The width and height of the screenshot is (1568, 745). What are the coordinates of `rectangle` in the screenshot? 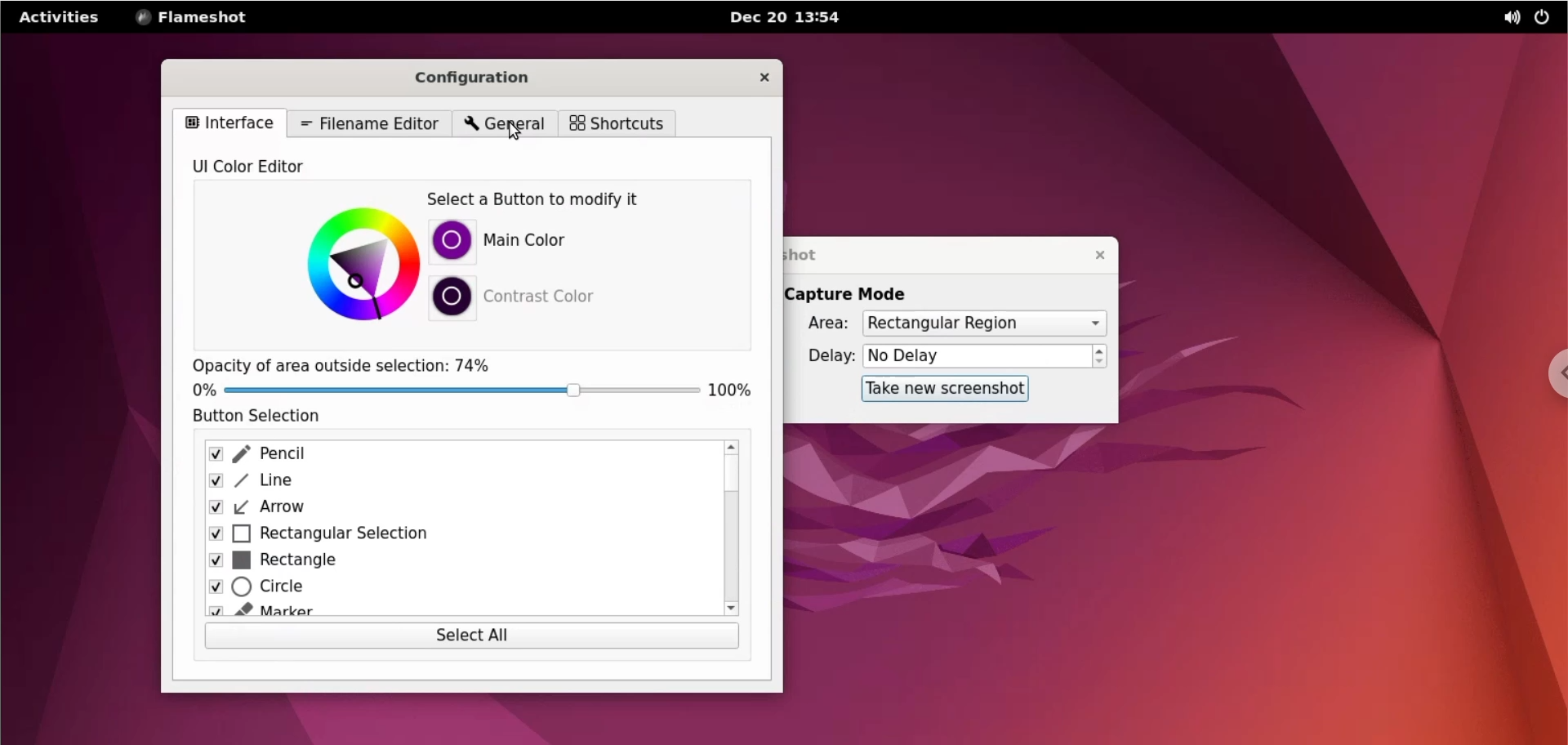 It's located at (453, 561).